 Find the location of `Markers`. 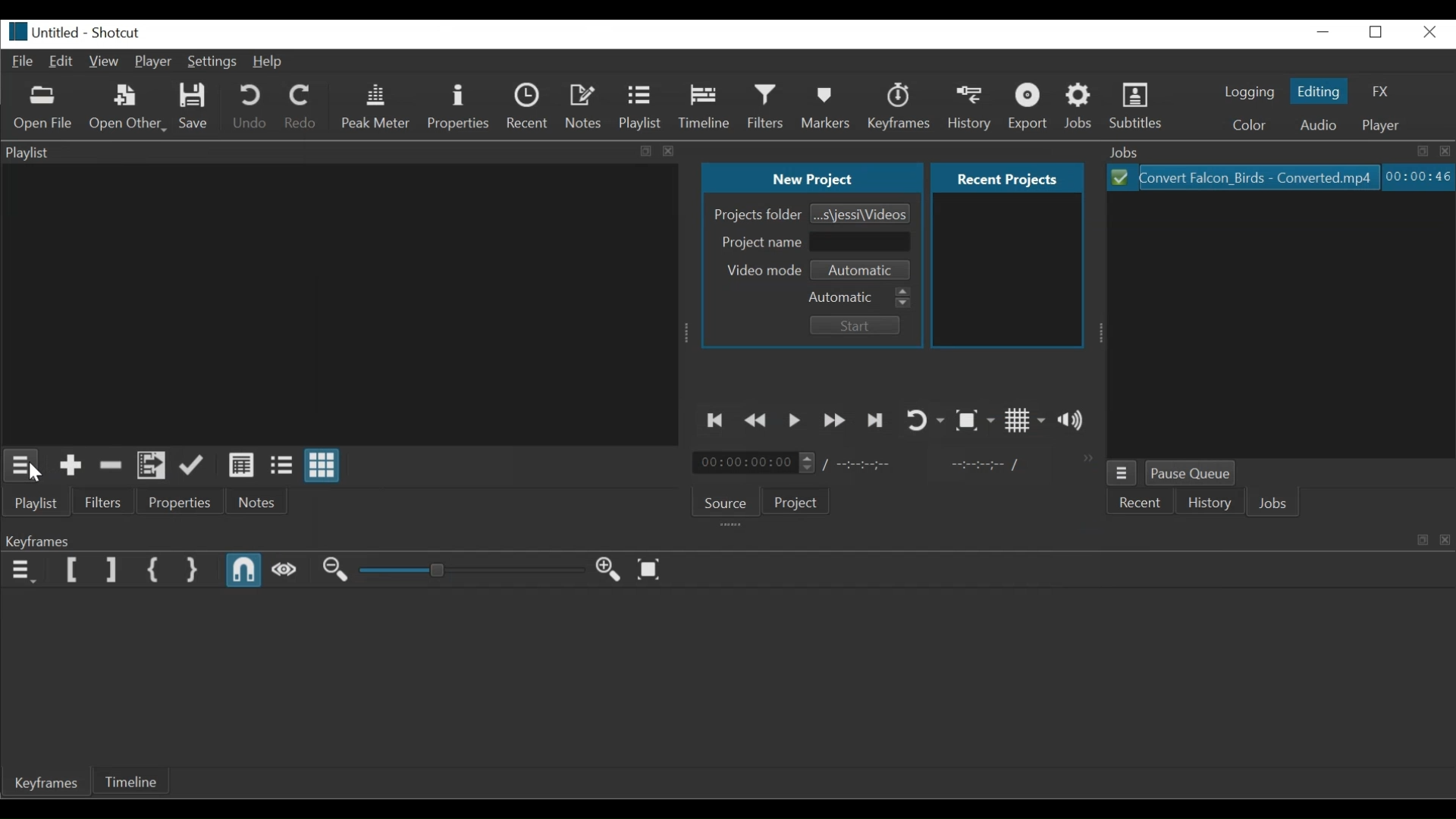

Markers is located at coordinates (827, 107).